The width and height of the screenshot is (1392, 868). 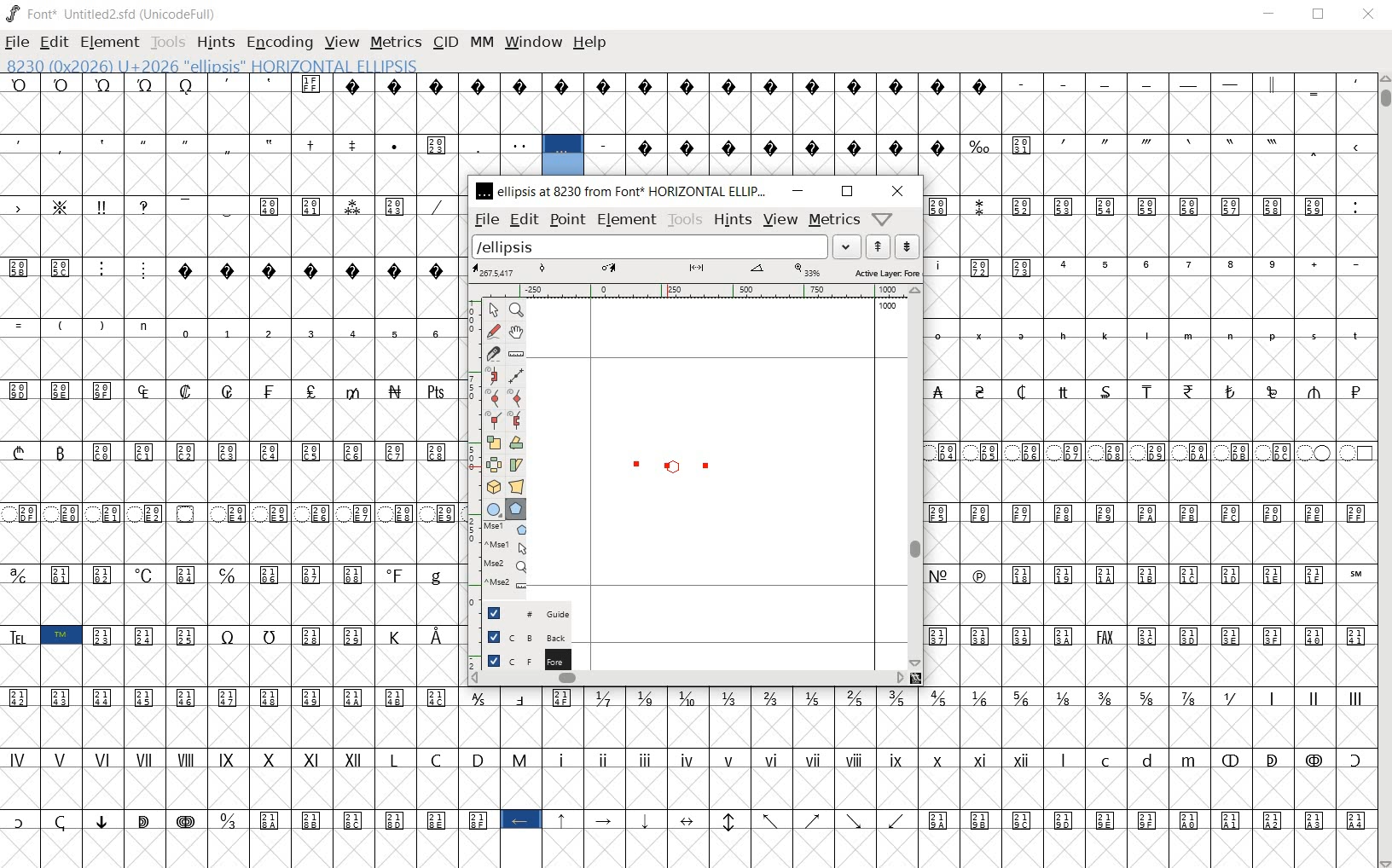 What do you see at coordinates (494, 354) in the screenshot?
I see `cut splines in two` at bounding box center [494, 354].